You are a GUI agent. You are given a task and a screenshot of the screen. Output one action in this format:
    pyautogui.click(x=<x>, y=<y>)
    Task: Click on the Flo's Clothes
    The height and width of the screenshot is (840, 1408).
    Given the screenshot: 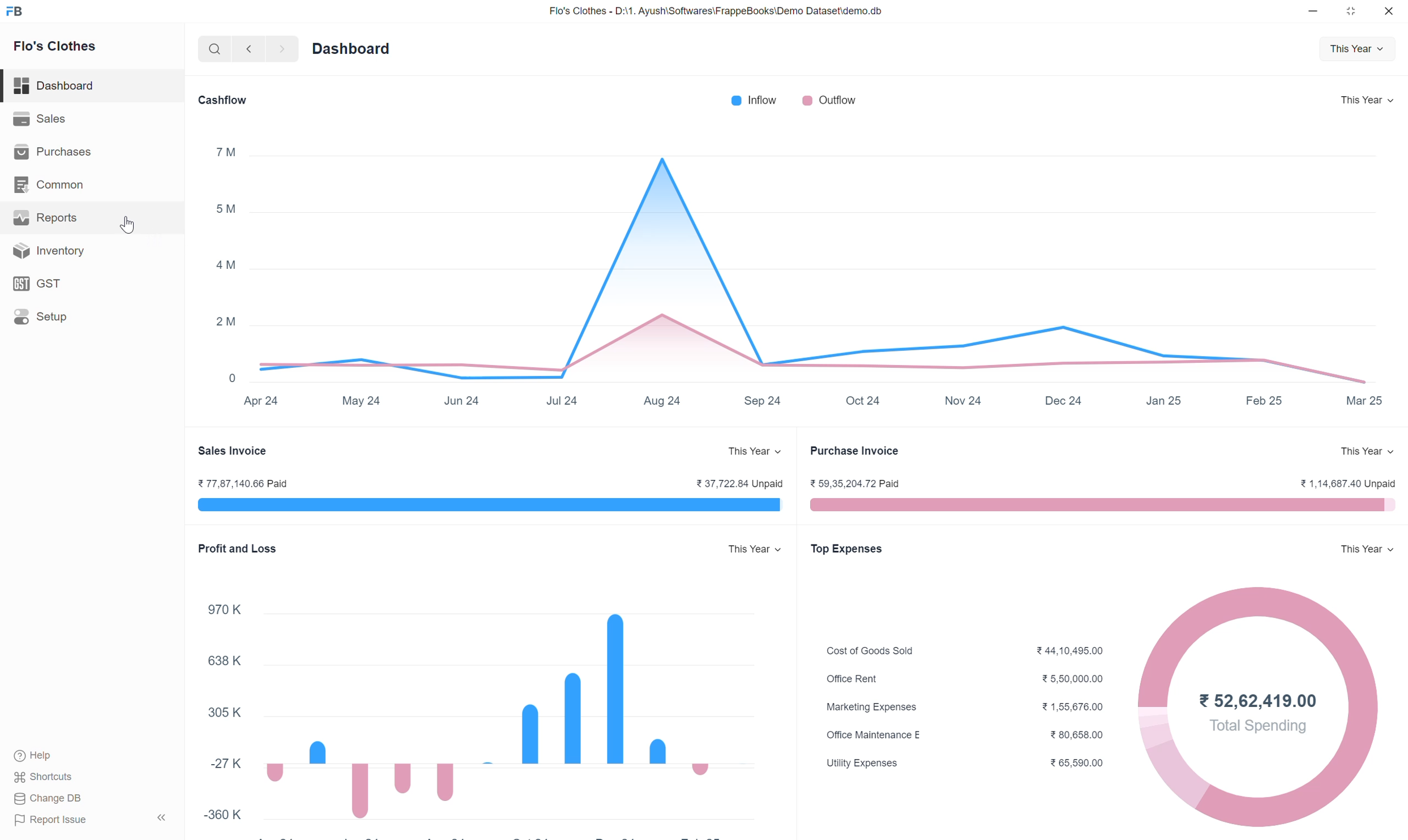 What is the action you would take?
    pyautogui.click(x=58, y=46)
    